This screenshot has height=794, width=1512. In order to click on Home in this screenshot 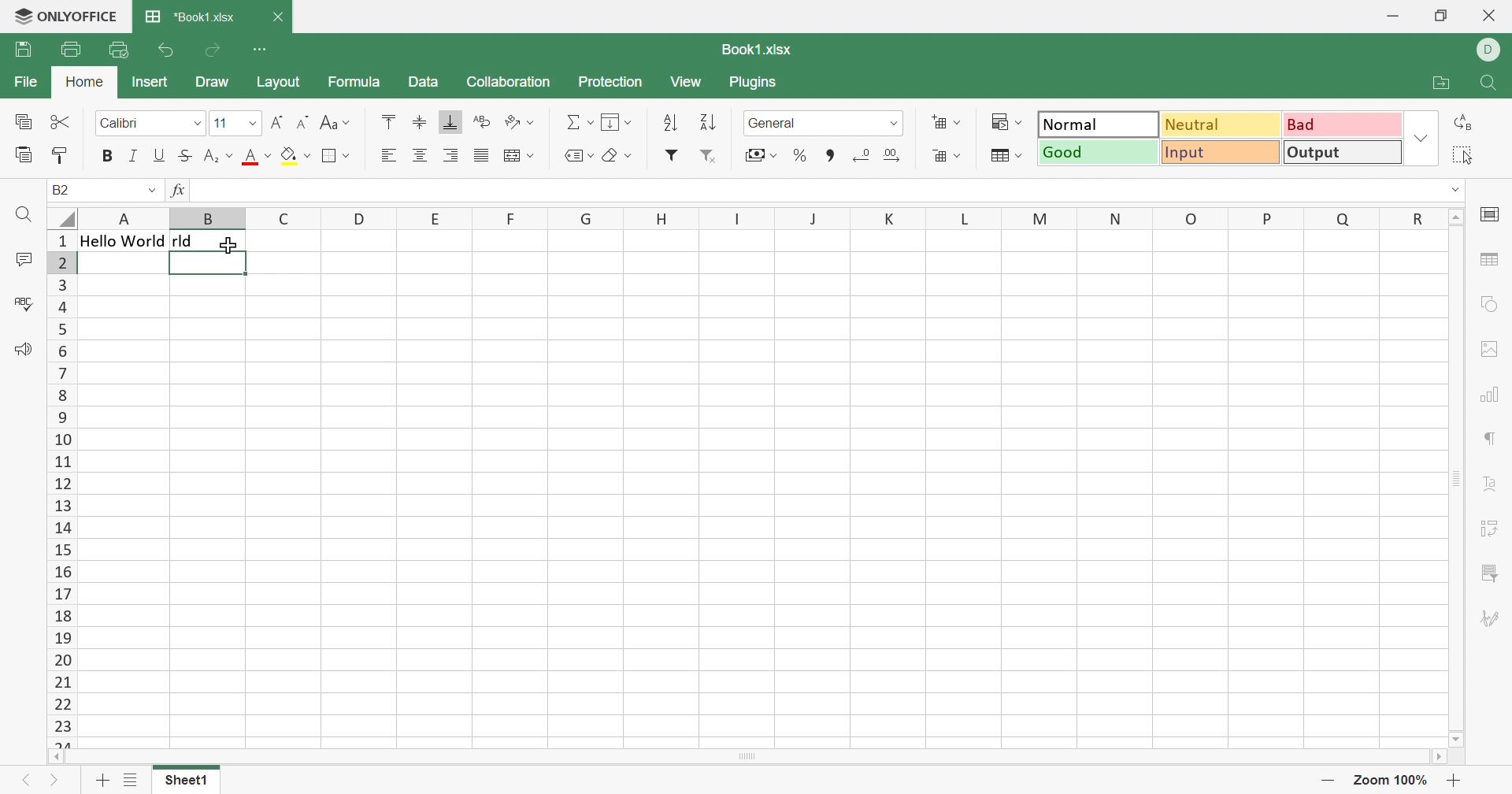, I will do `click(87, 82)`.